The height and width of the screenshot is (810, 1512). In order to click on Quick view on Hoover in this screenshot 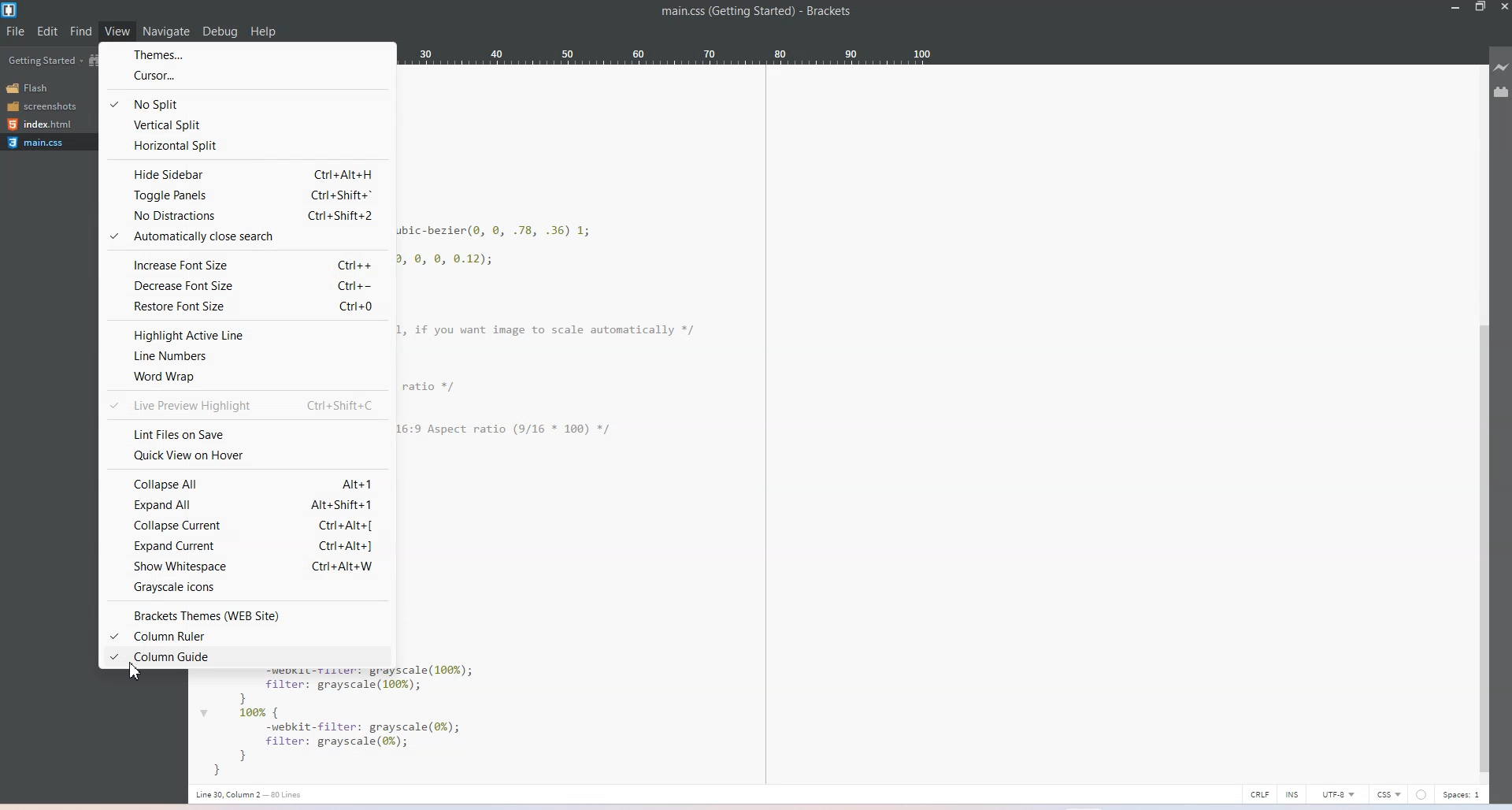, I will do `click(246, 457)`.